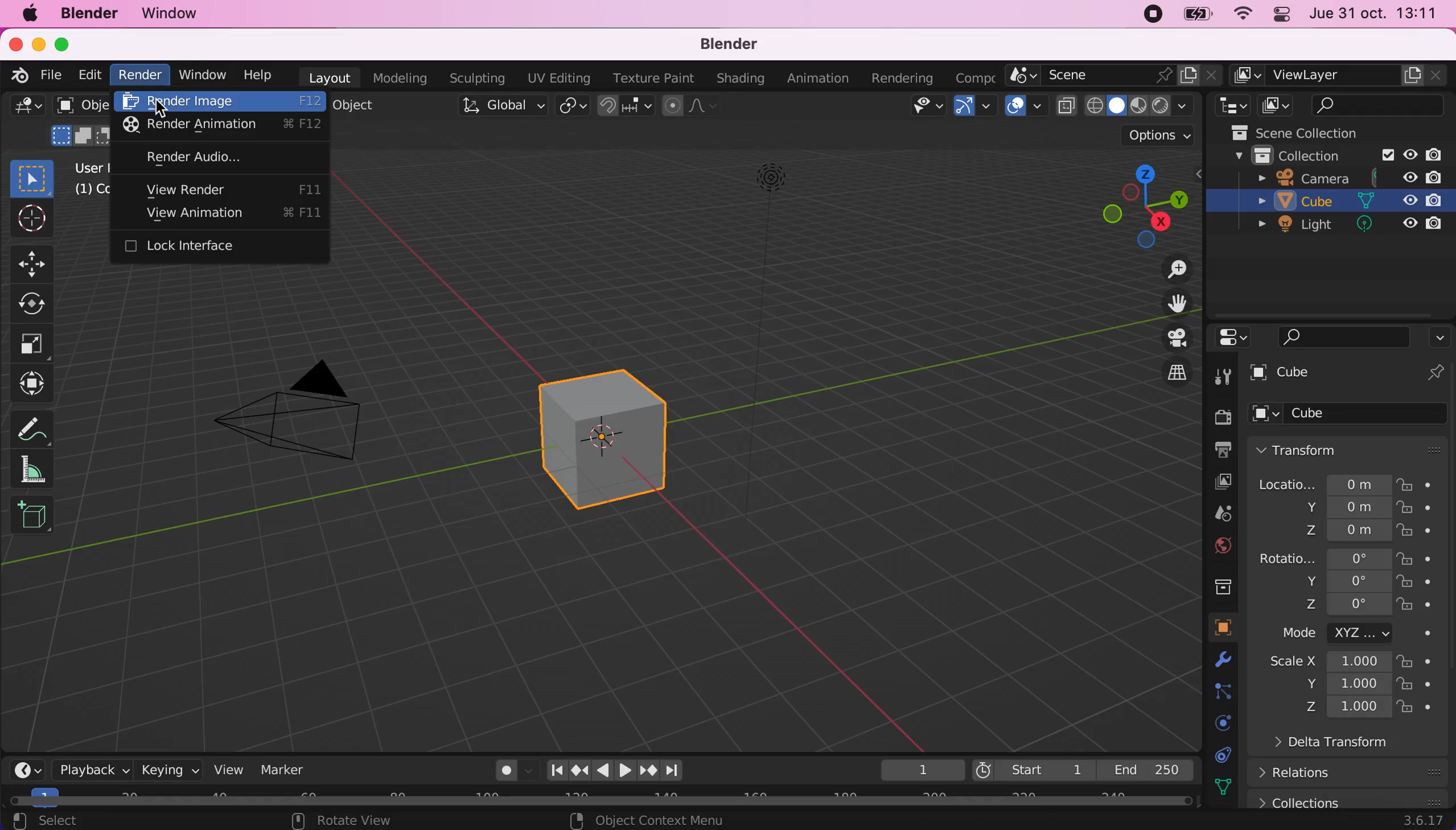 The image size is (1456, 830). I want to click on minimize, so click(39, 43).